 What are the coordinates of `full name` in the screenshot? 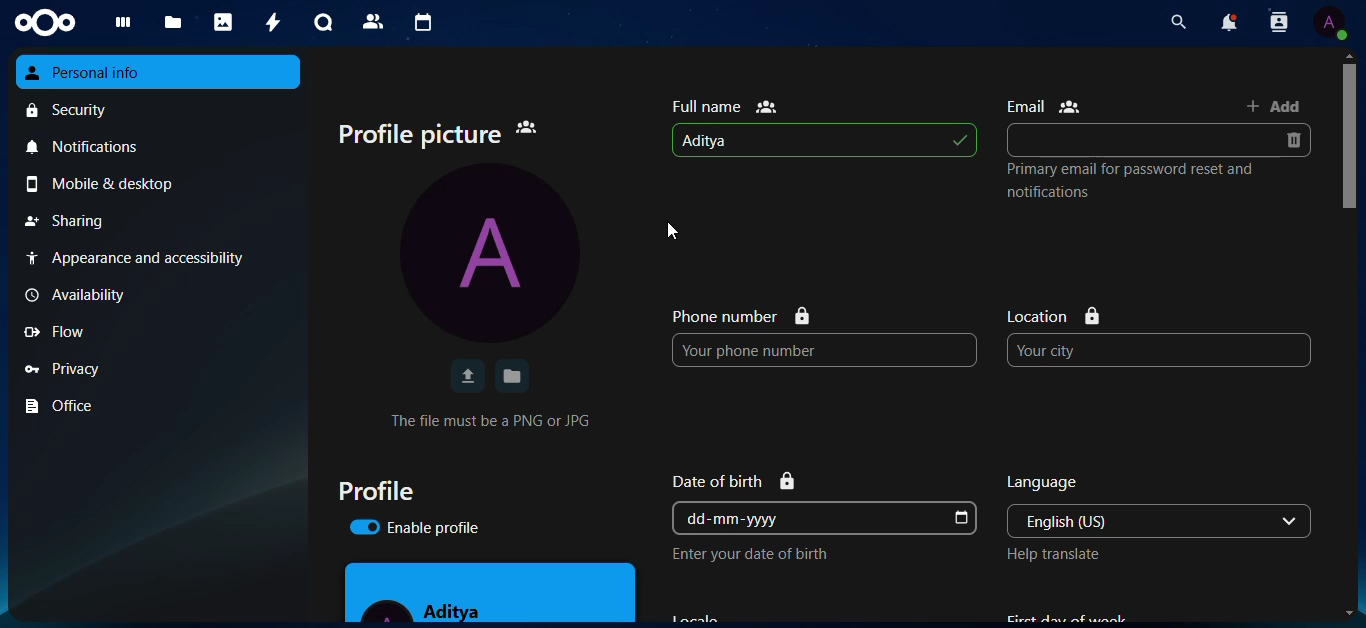 It's located at (724, 106).